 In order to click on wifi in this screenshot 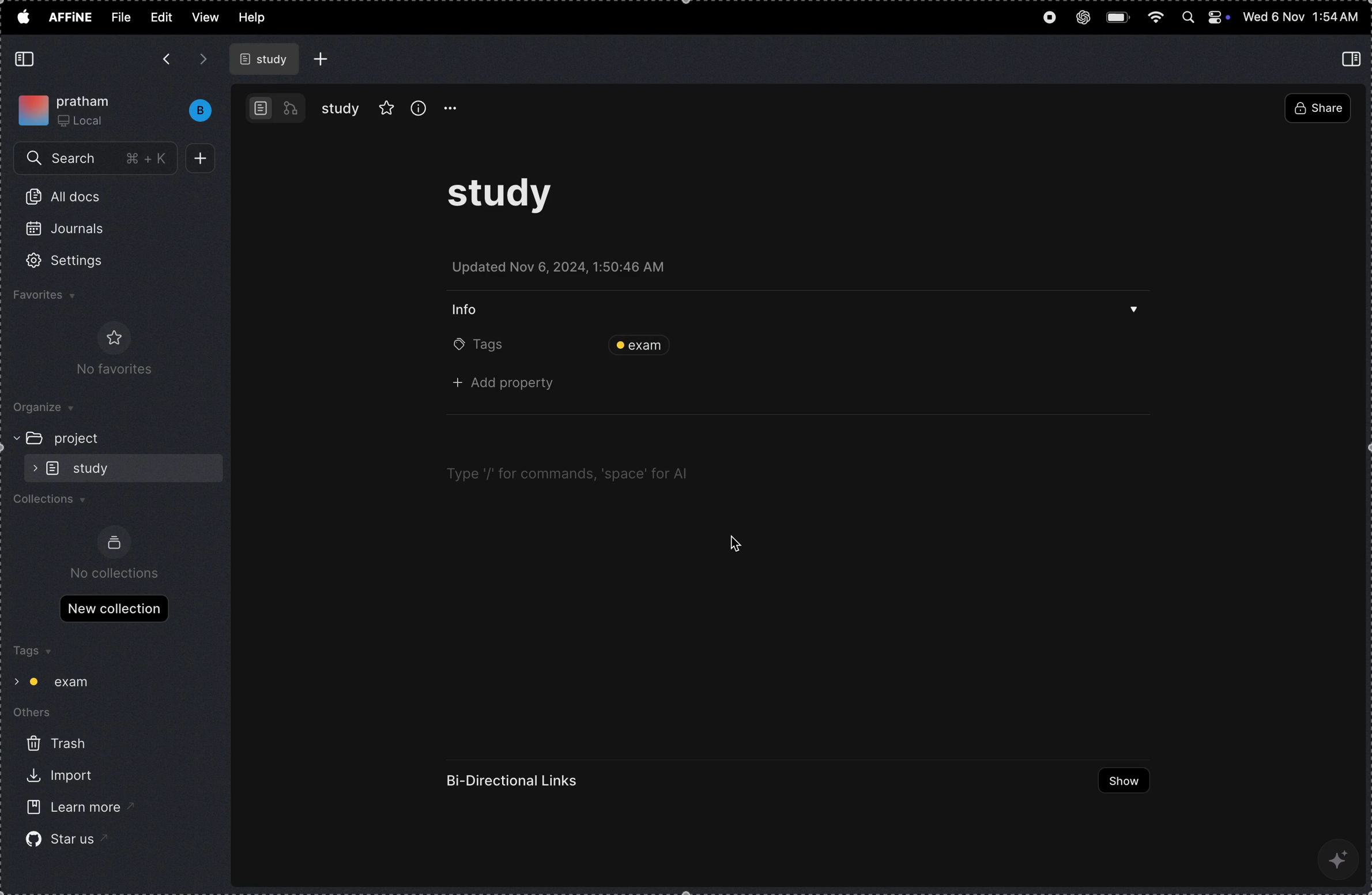, I will do `click(1156, 18)`.